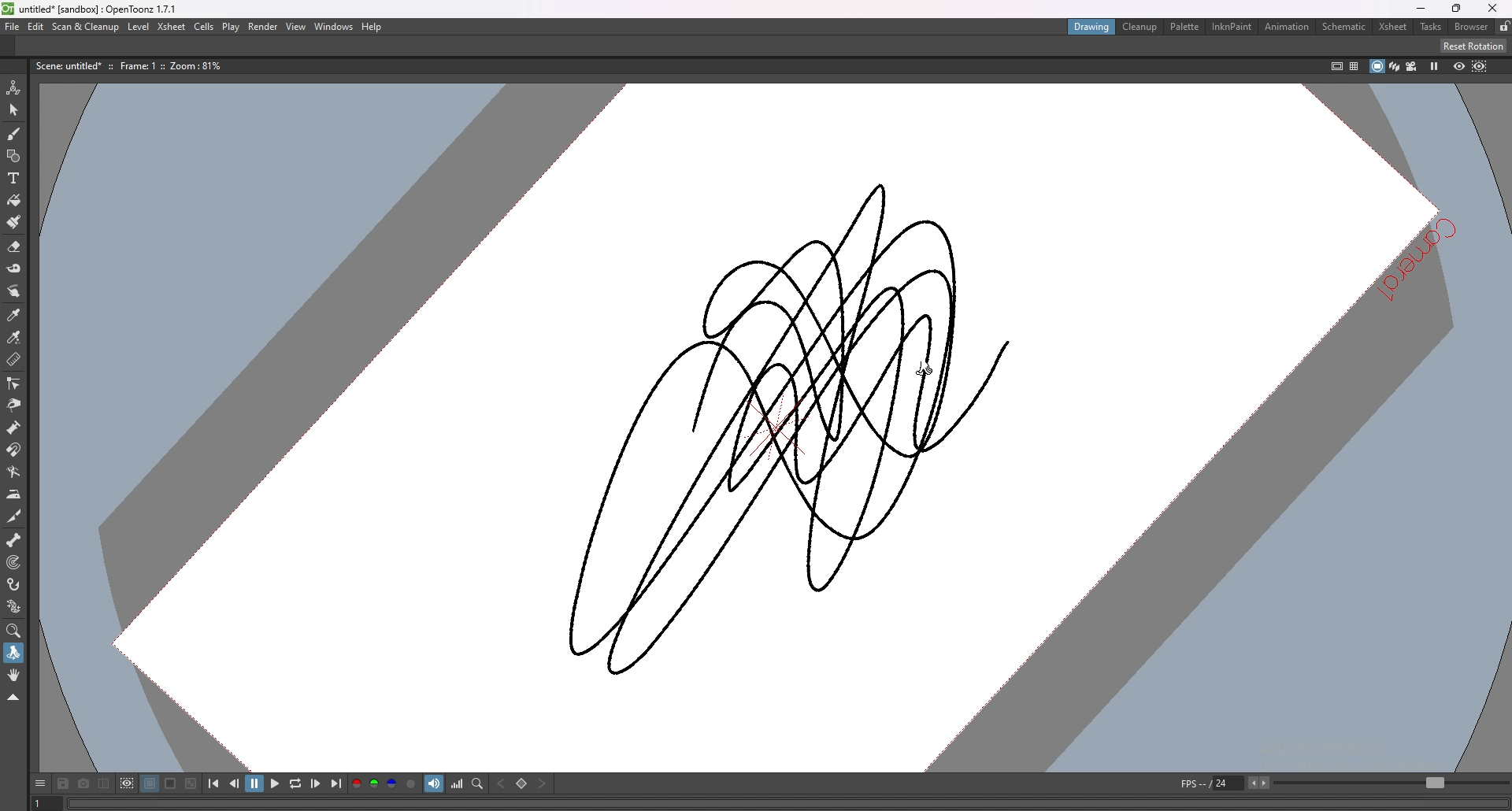 This screenshot has width=1512, height=811. What do you see at coordinates (1140, 26) in the screenshot?
I see `cleanup` at bounding box center [1140, 26].